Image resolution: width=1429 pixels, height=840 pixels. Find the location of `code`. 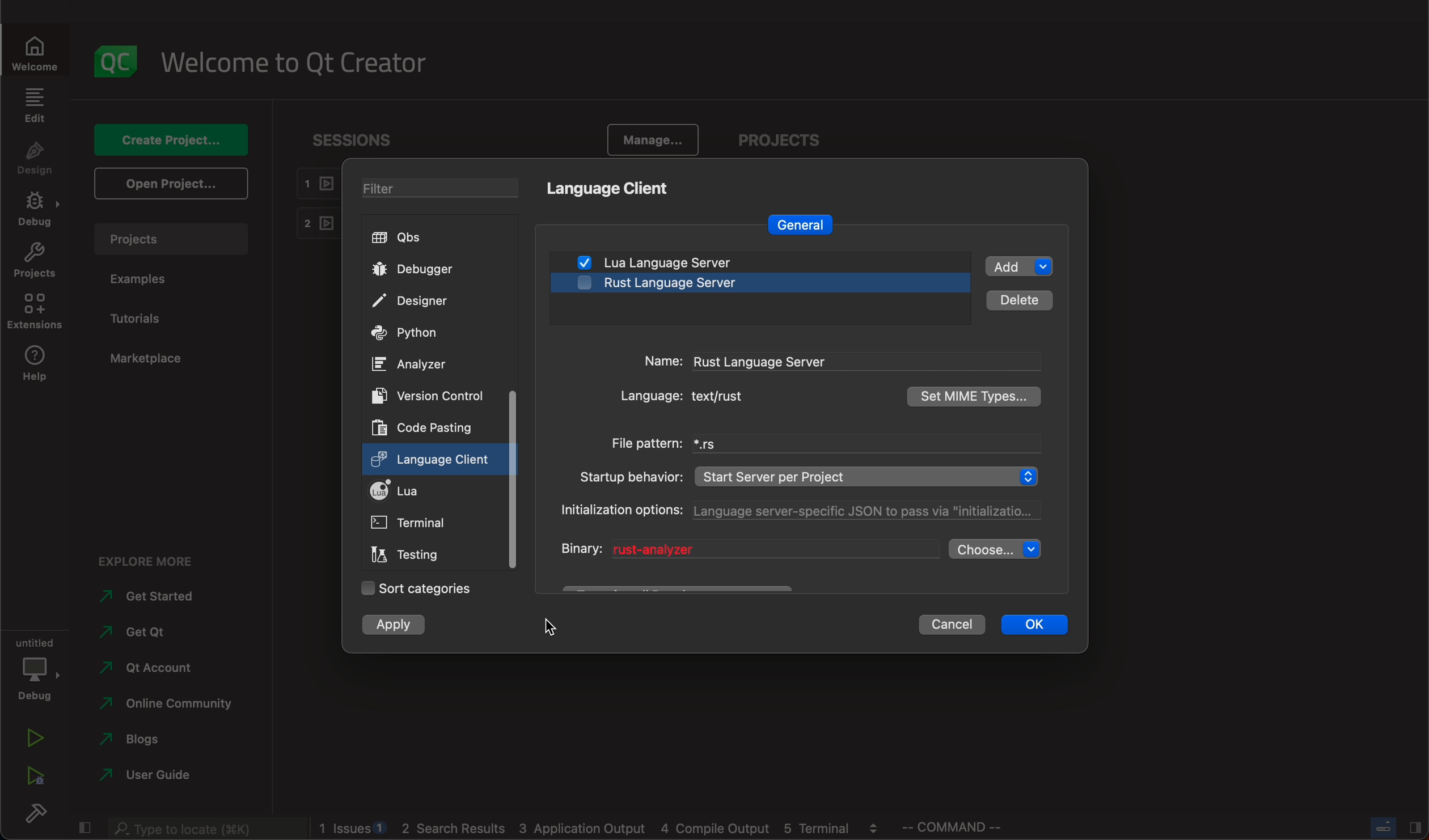

code is located at coordinates (425, 427).